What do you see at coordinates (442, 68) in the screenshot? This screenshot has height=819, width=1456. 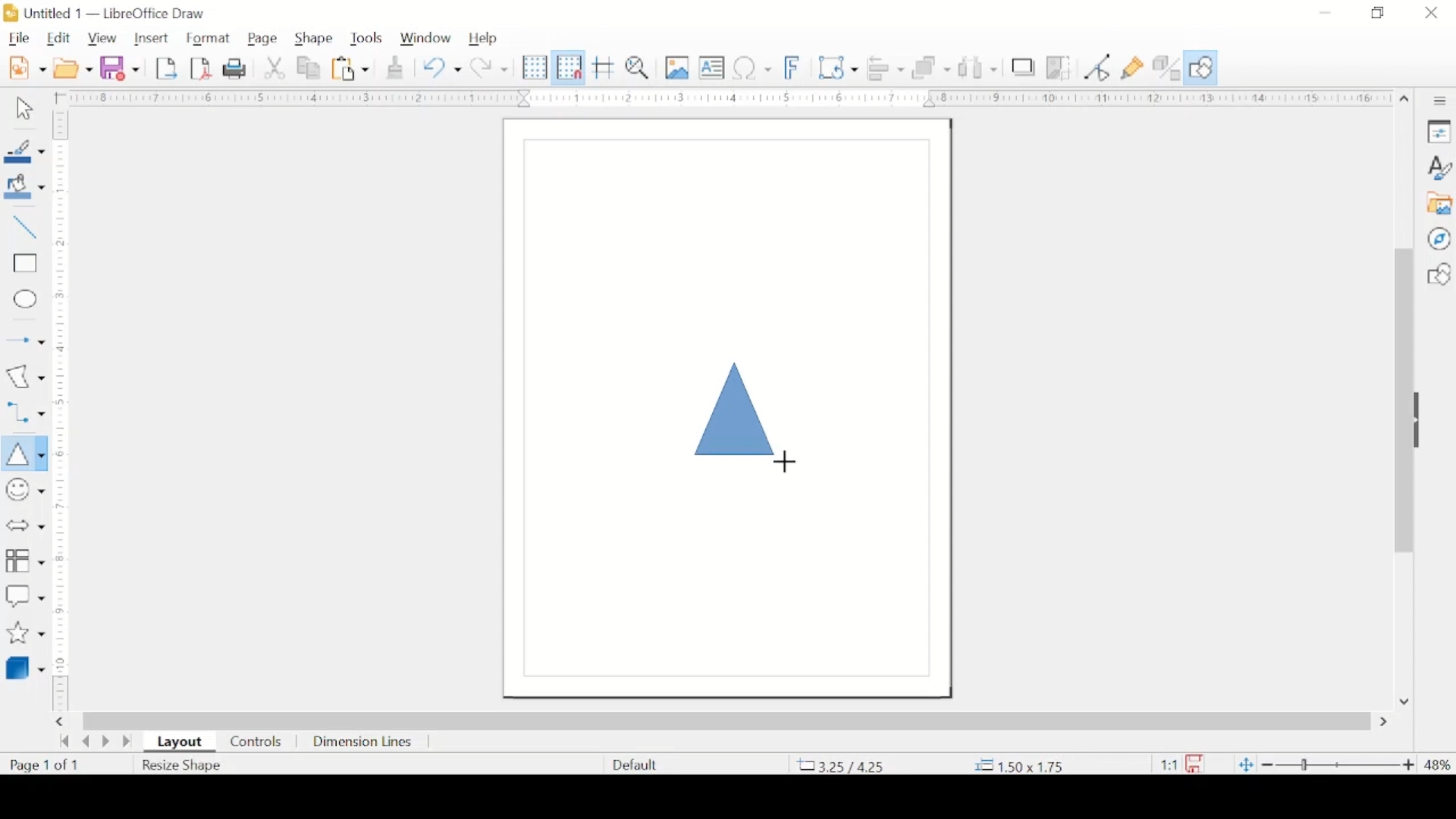 I see `undo` at bounding box center [442, 68].